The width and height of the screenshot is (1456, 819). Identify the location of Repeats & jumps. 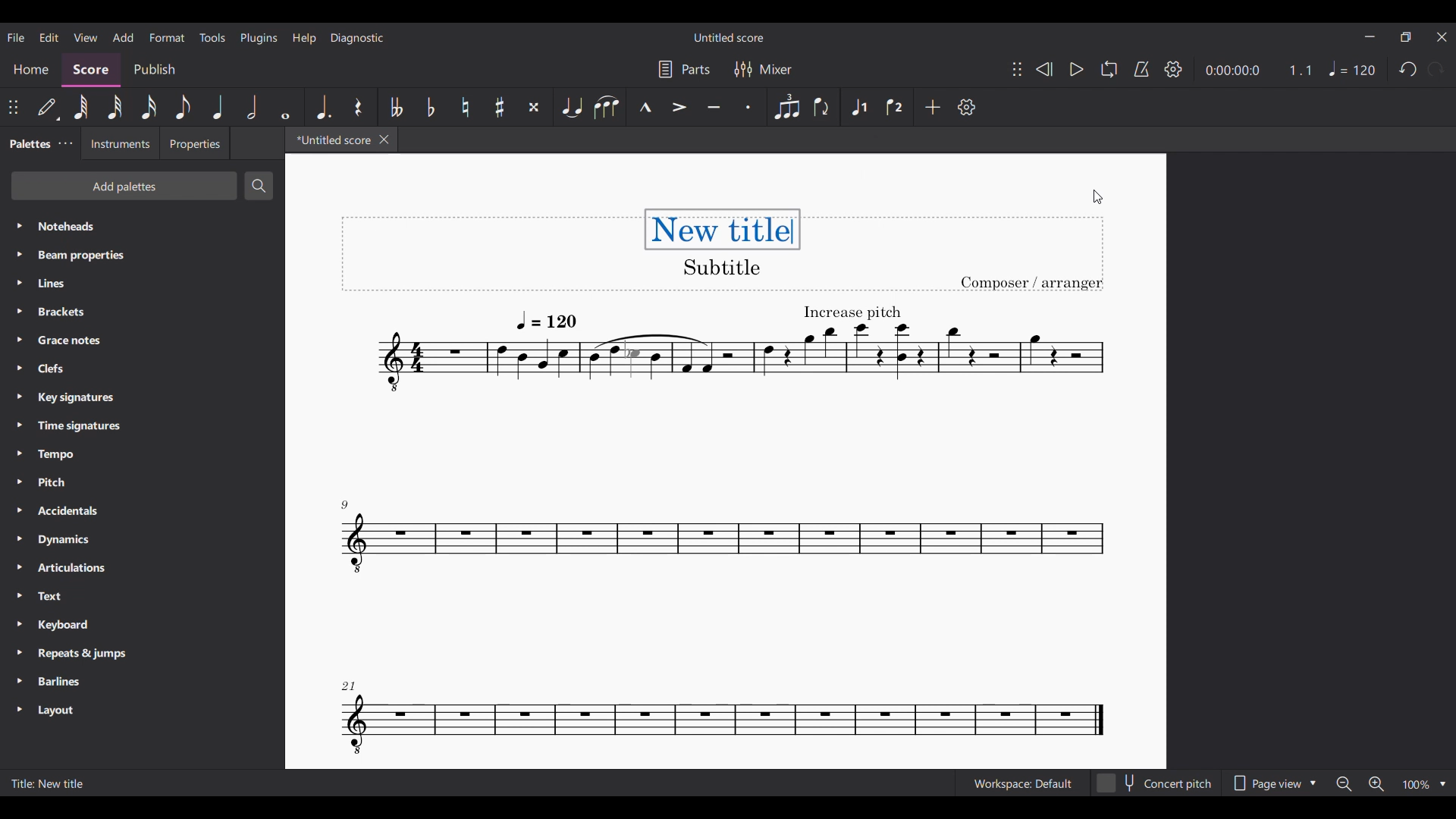
(143, 654).